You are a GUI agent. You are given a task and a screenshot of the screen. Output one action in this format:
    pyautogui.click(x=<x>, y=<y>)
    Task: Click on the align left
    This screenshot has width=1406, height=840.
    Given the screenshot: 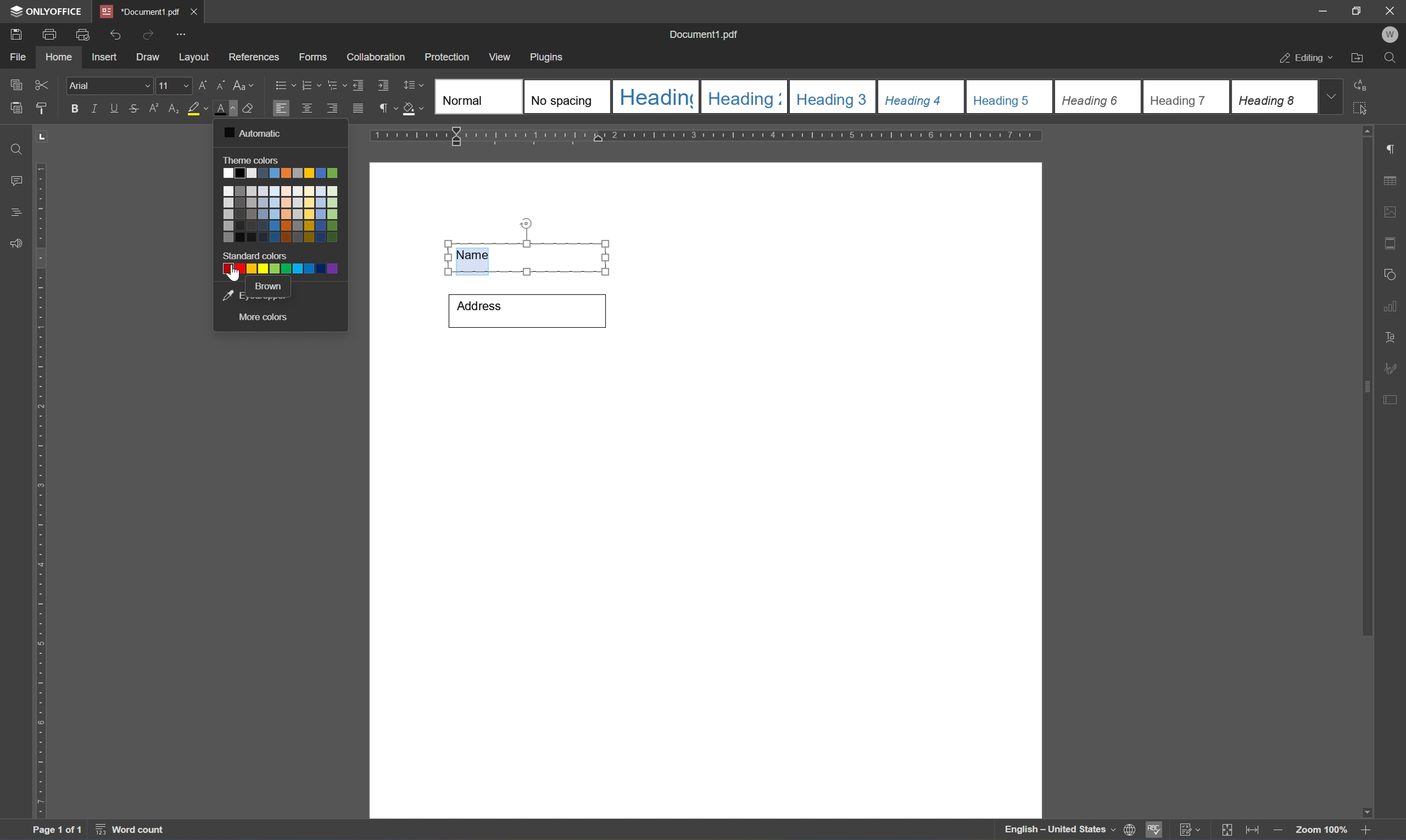 What is the action you would take?
    pyautogui.click(x=280, y=107)
    